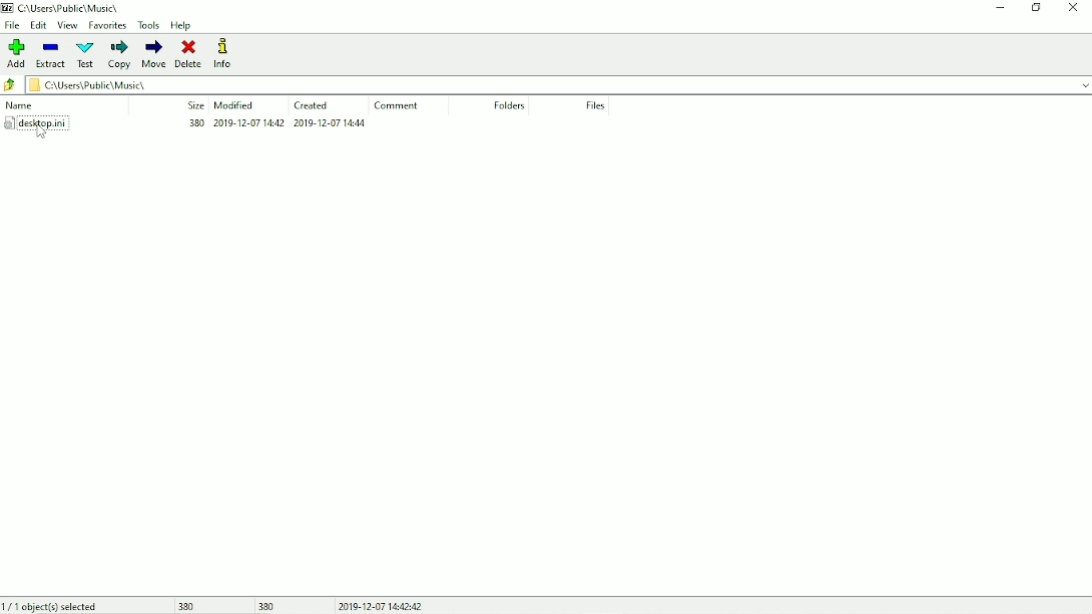 Image resolution: width=1092 pixels, height=614 pixels. What do you see at coordinates (39, 25) in the screenshot?
I see `Edit` at bounding box center [39, 25].